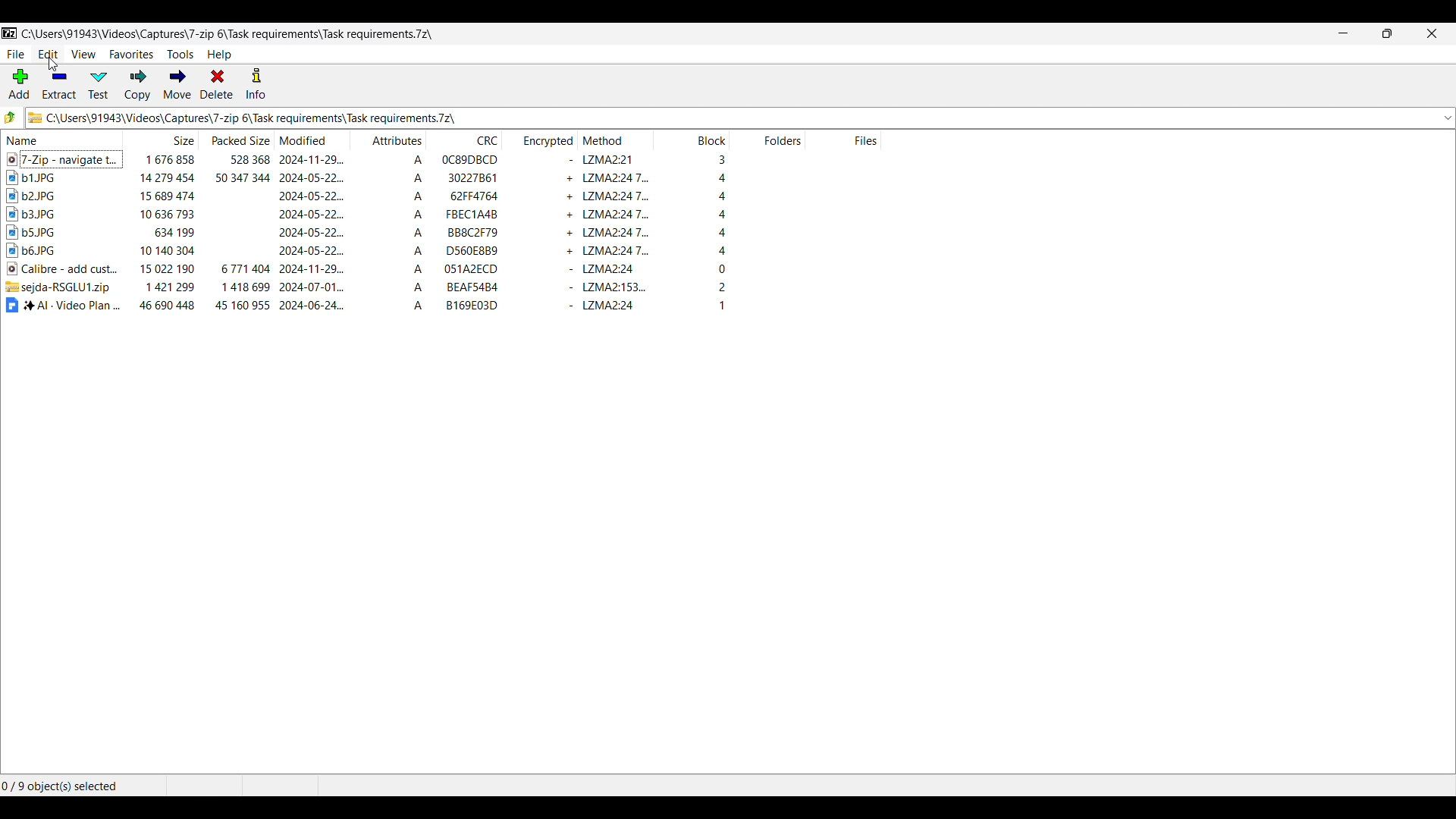  What do you see at coordinates (52, 64) in the screenshot?
I see `Cursor clicking on Edit menu` at bounding box center [52, 64].